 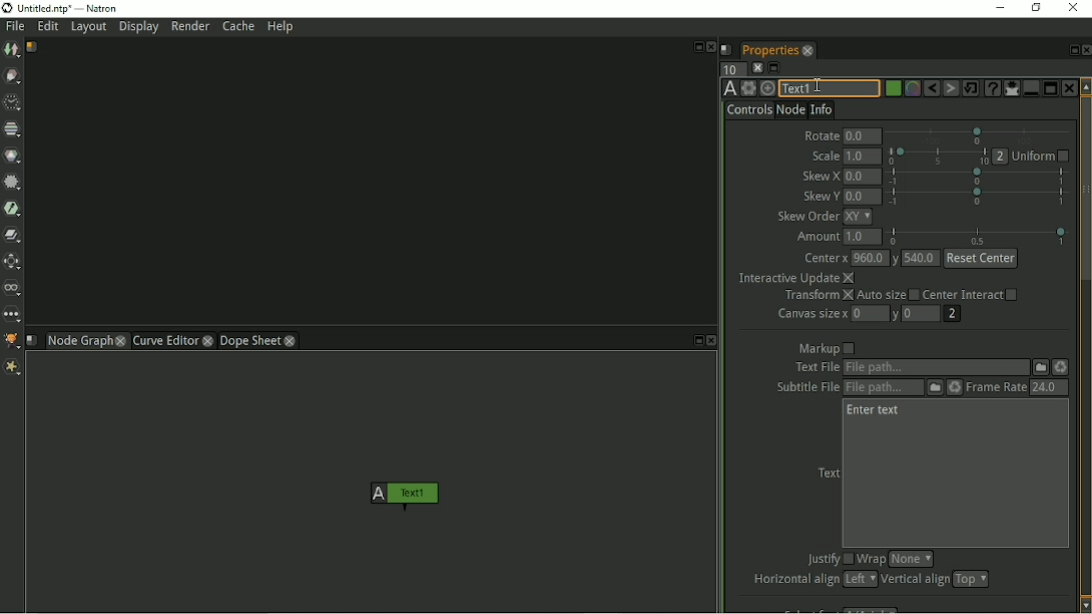 I want to click on Advanced text generator node, so click(x=991, y=88).